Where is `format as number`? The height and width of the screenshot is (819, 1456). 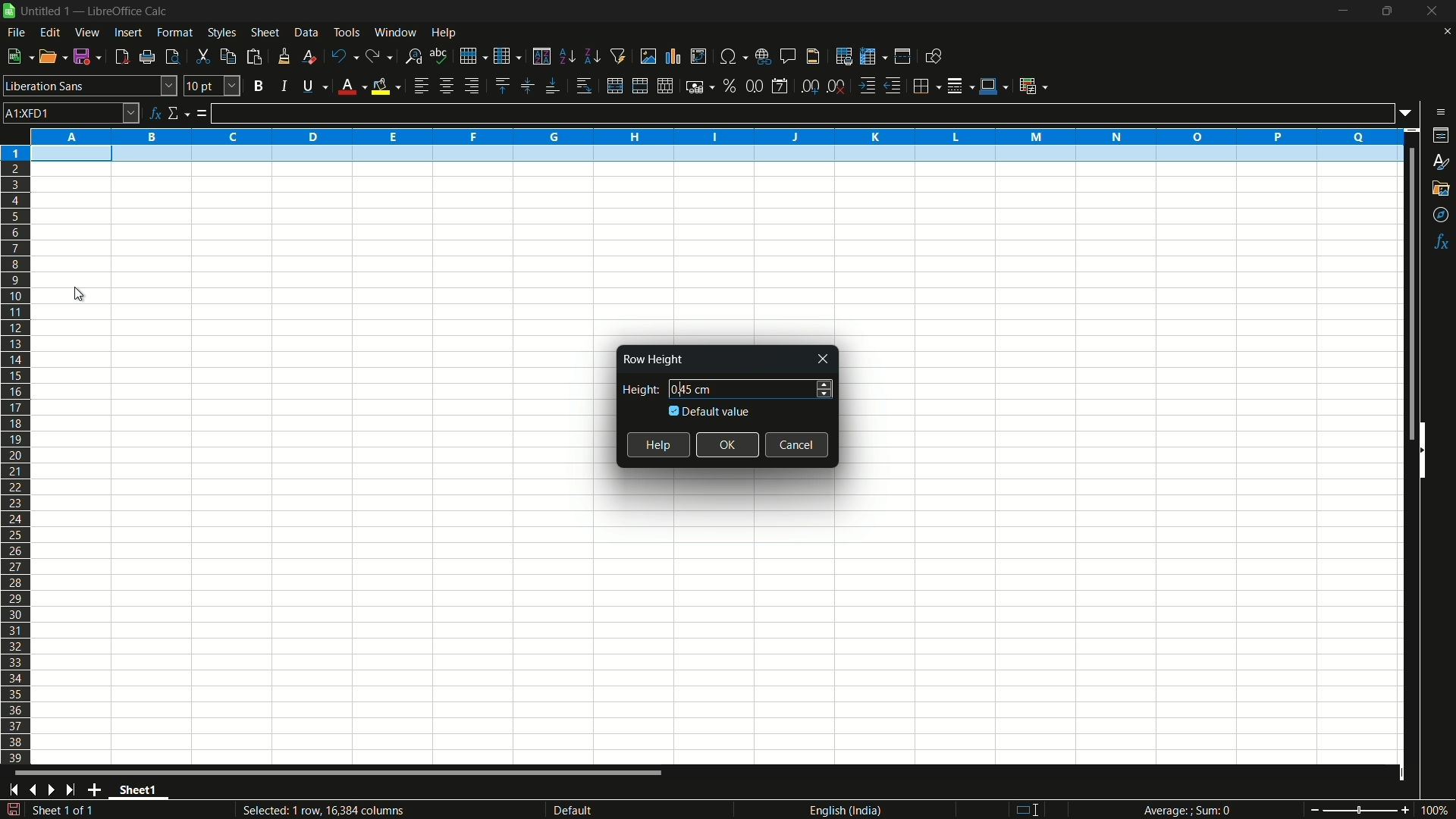 format as number is located at coordinates (754, 86).